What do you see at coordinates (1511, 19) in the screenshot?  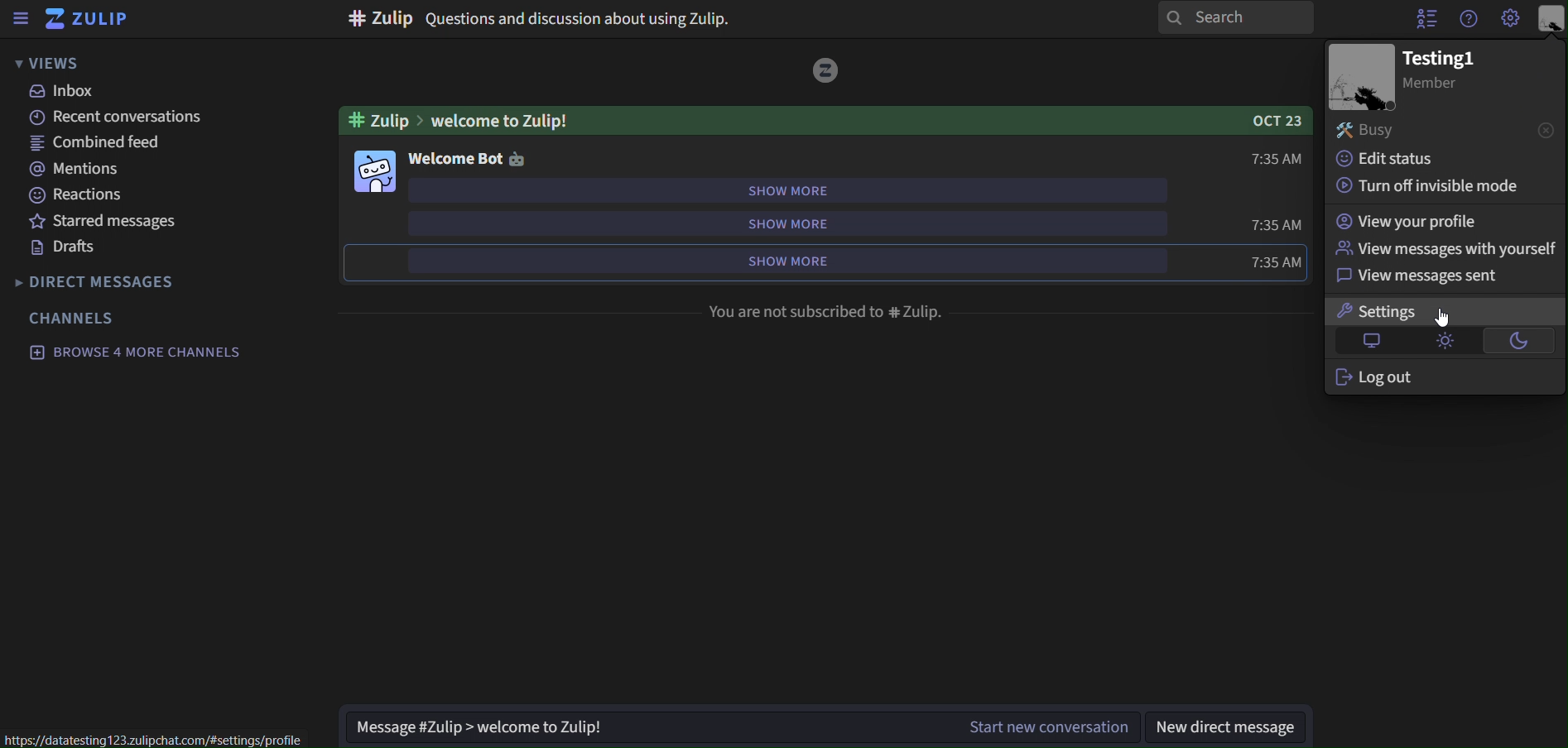 I see `main menu` at bounding box center [1511, 19].